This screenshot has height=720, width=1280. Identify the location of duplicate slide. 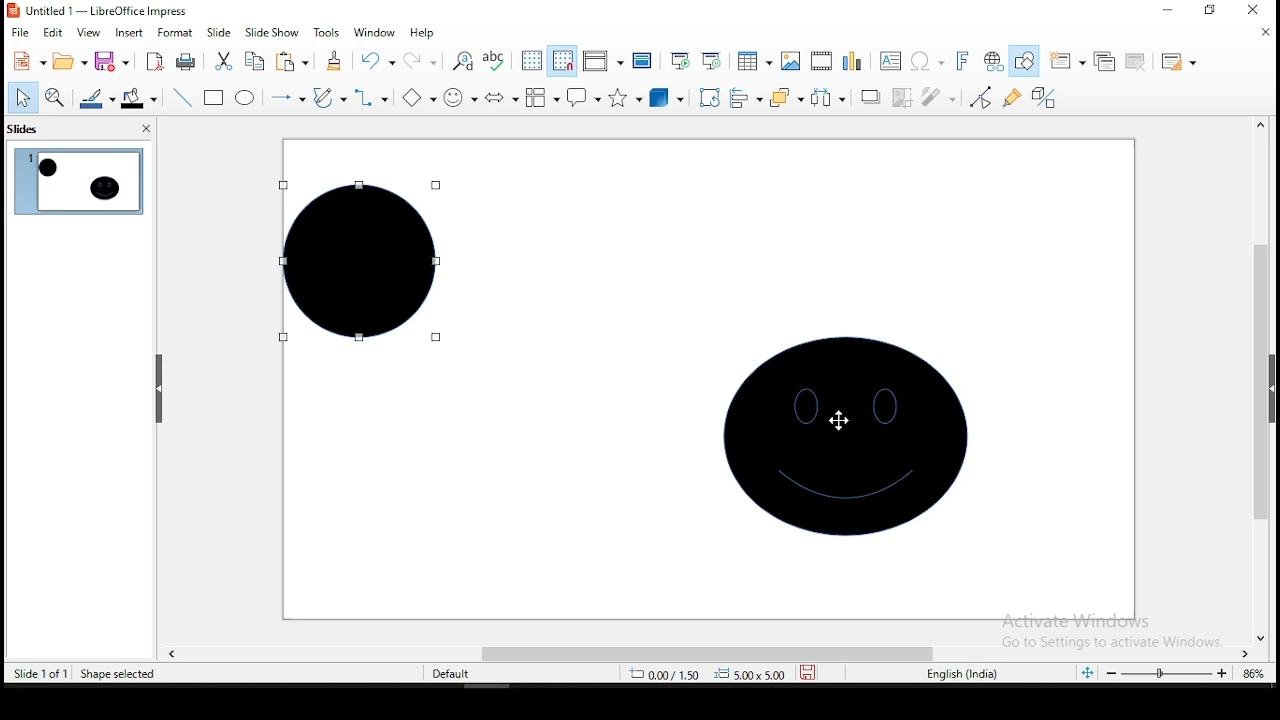
(1103, 61).